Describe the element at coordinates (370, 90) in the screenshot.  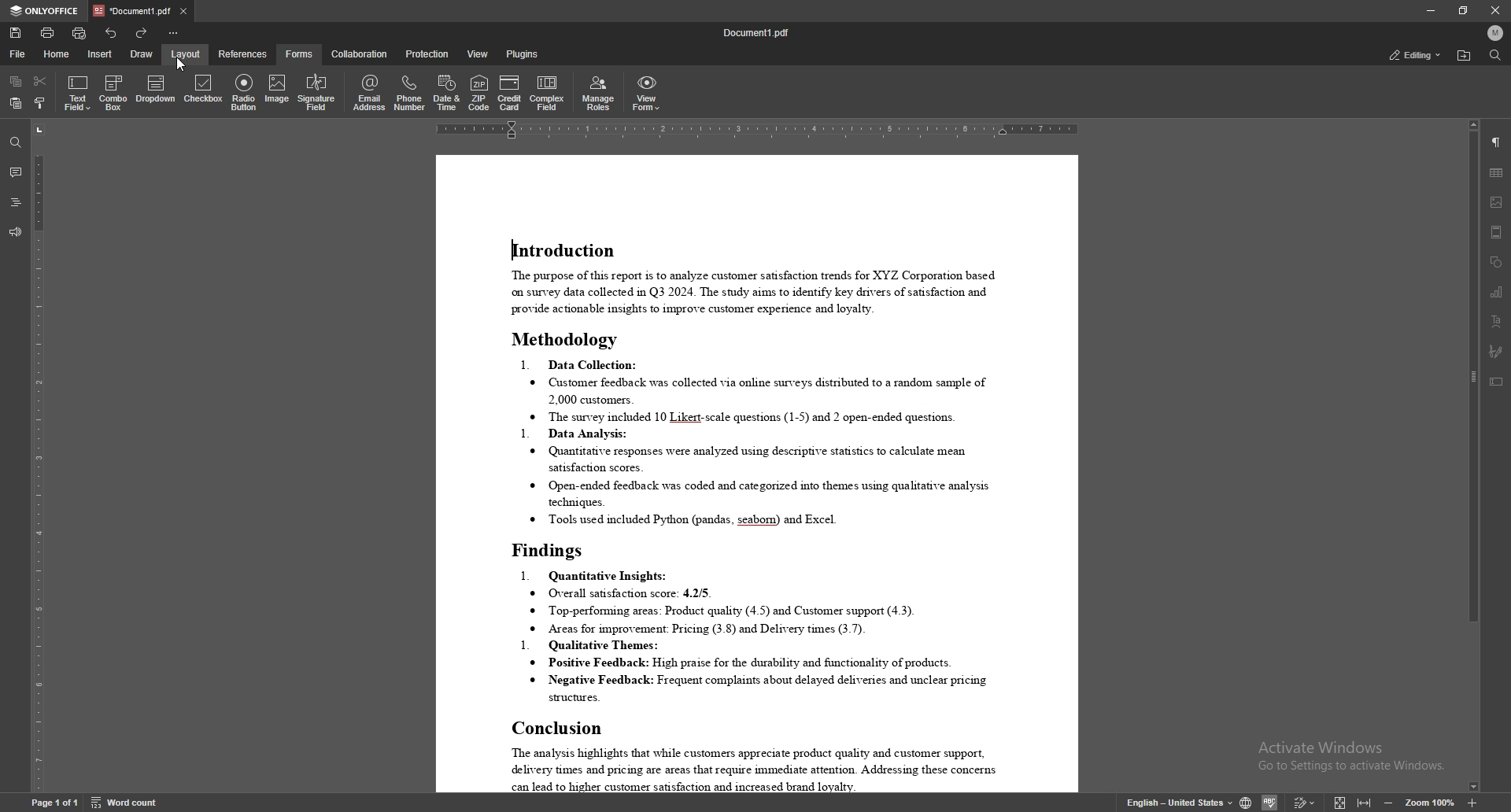
I see `email address` at that location.